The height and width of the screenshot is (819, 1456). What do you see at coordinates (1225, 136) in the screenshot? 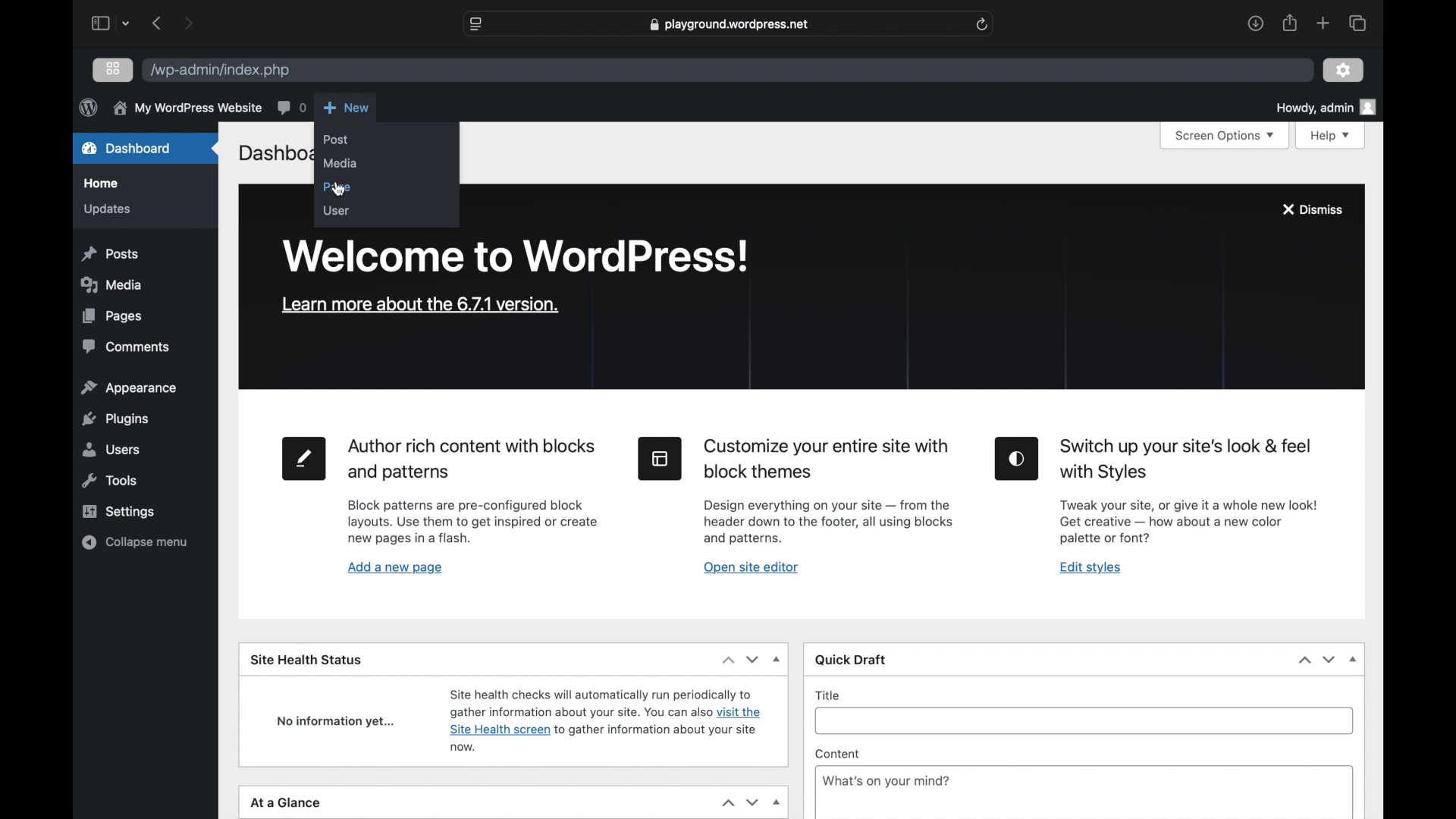
I see `screen options` at bounding box center [1225, 136].